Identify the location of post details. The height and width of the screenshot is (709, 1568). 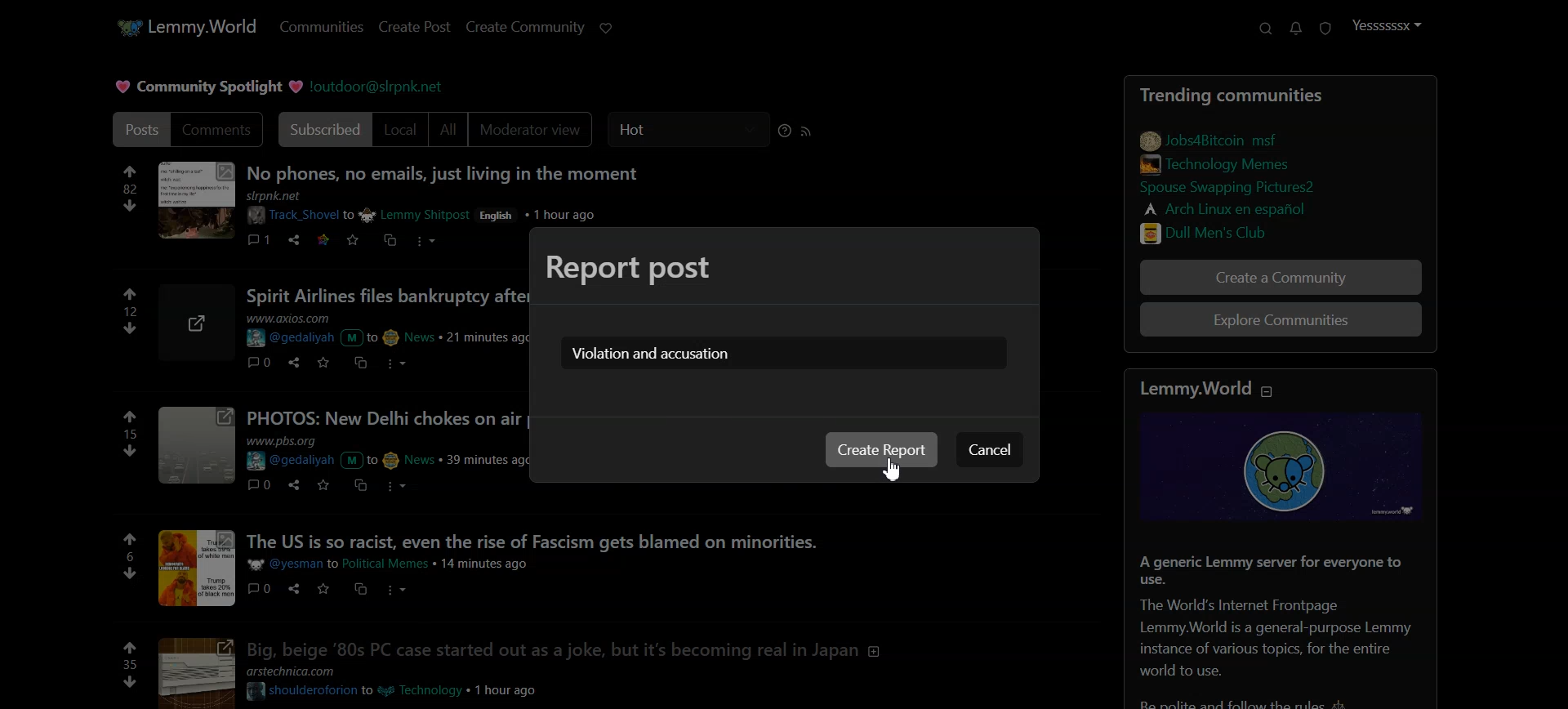
(398, 564).